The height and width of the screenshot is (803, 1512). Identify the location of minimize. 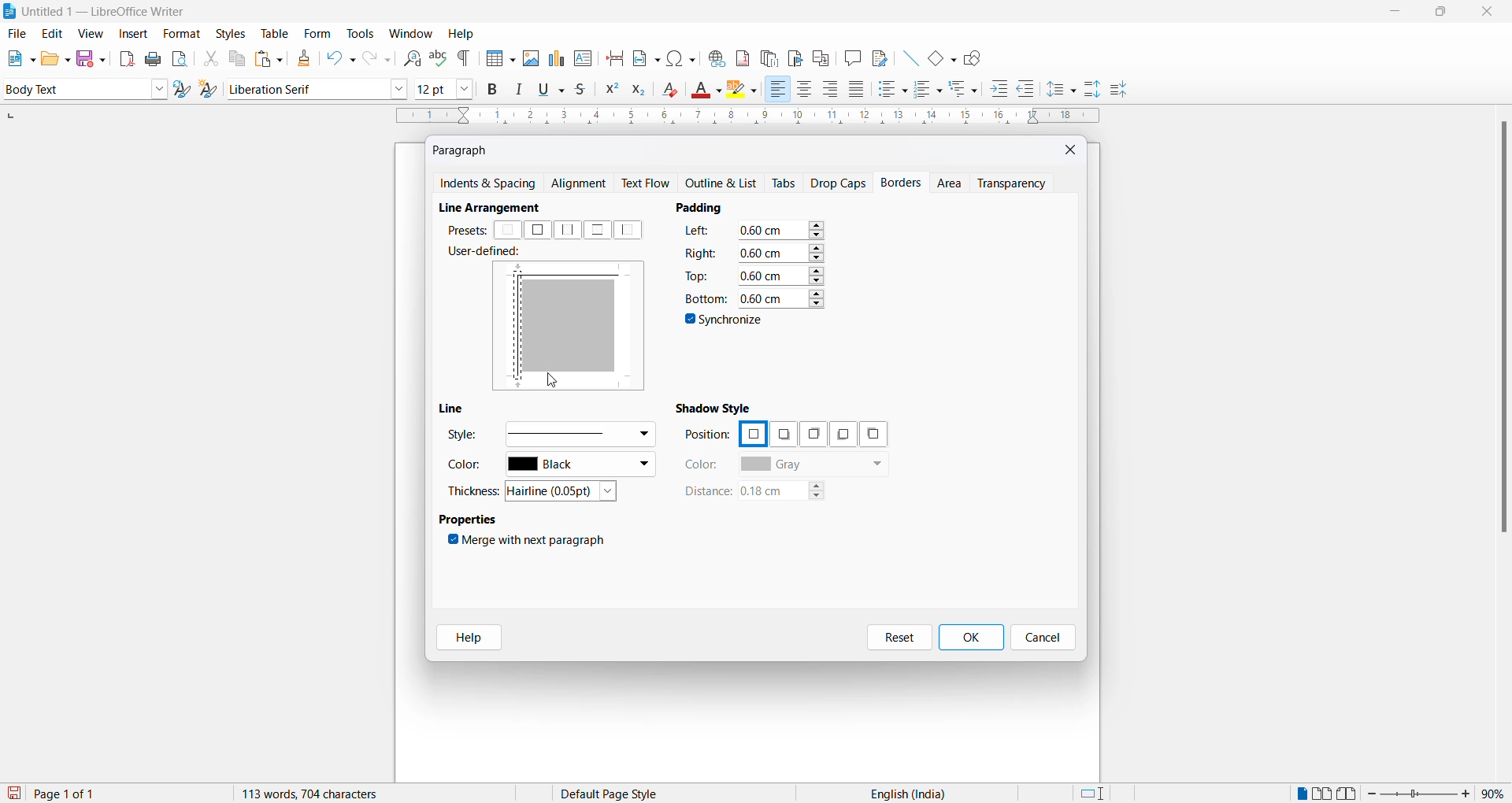
(1393, 14).